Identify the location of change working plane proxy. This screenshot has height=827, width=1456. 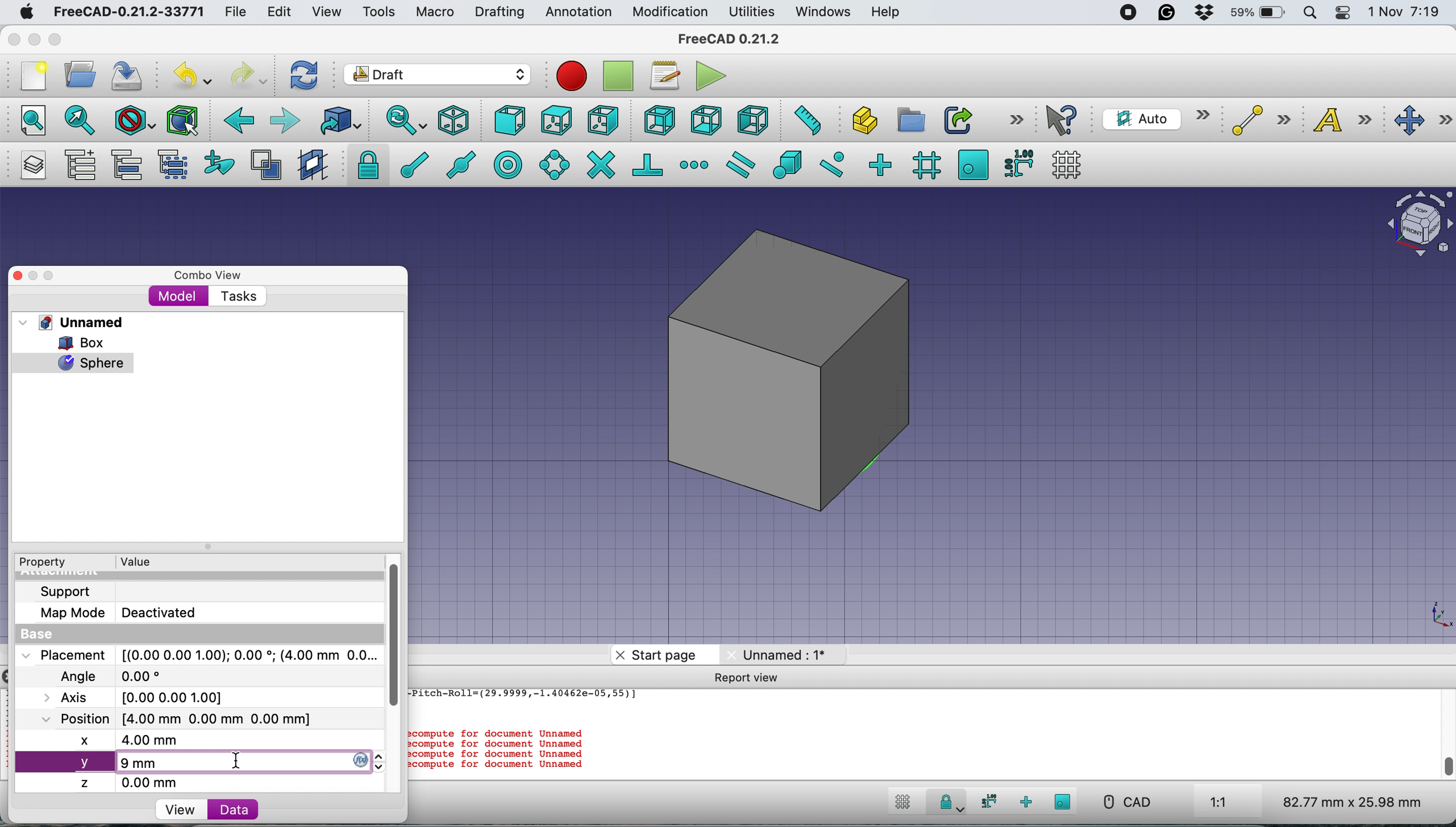
(311, 166).